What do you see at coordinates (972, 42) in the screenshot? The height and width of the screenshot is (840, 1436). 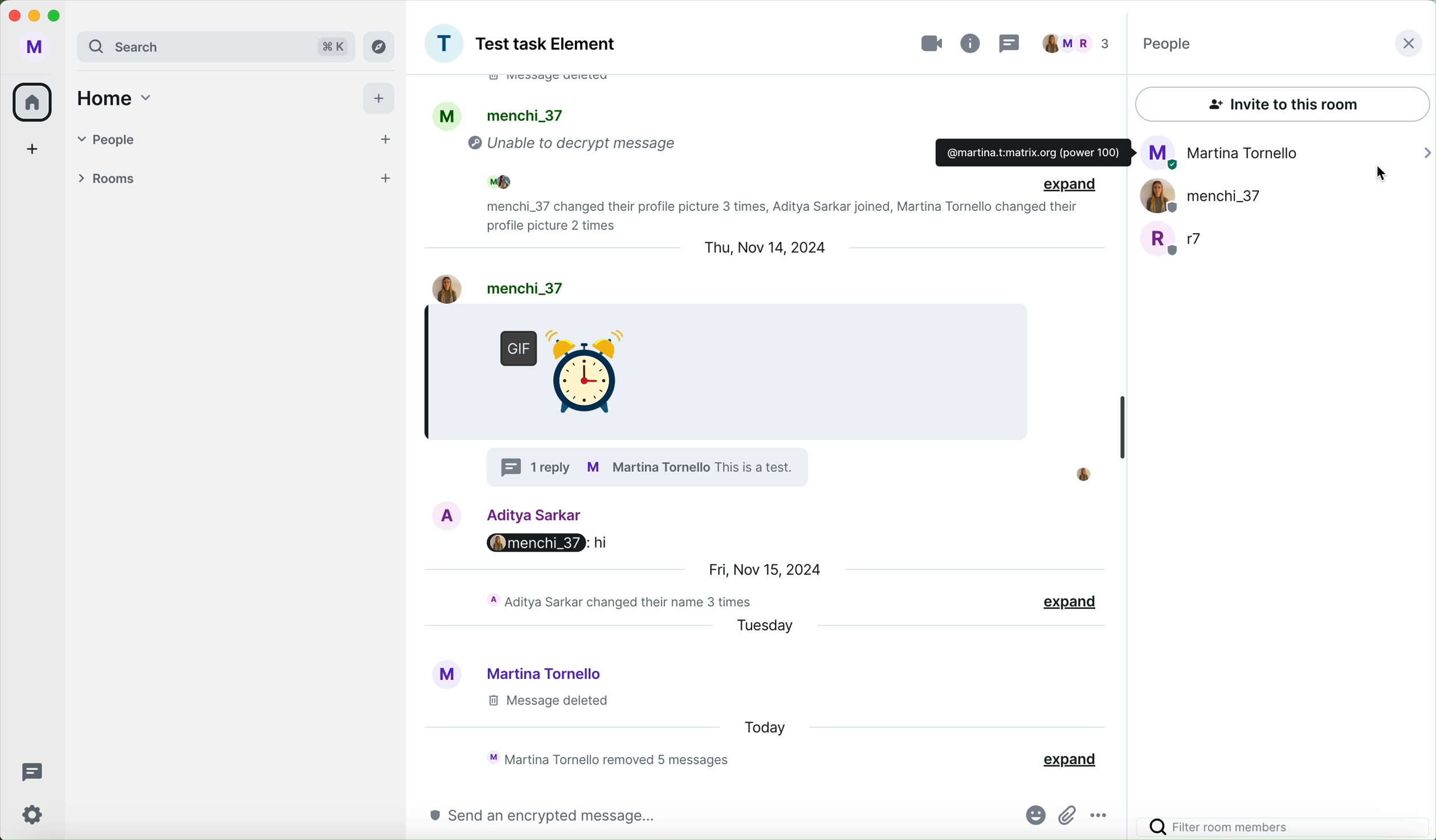 I see `info` at bounding box center [972, 42].